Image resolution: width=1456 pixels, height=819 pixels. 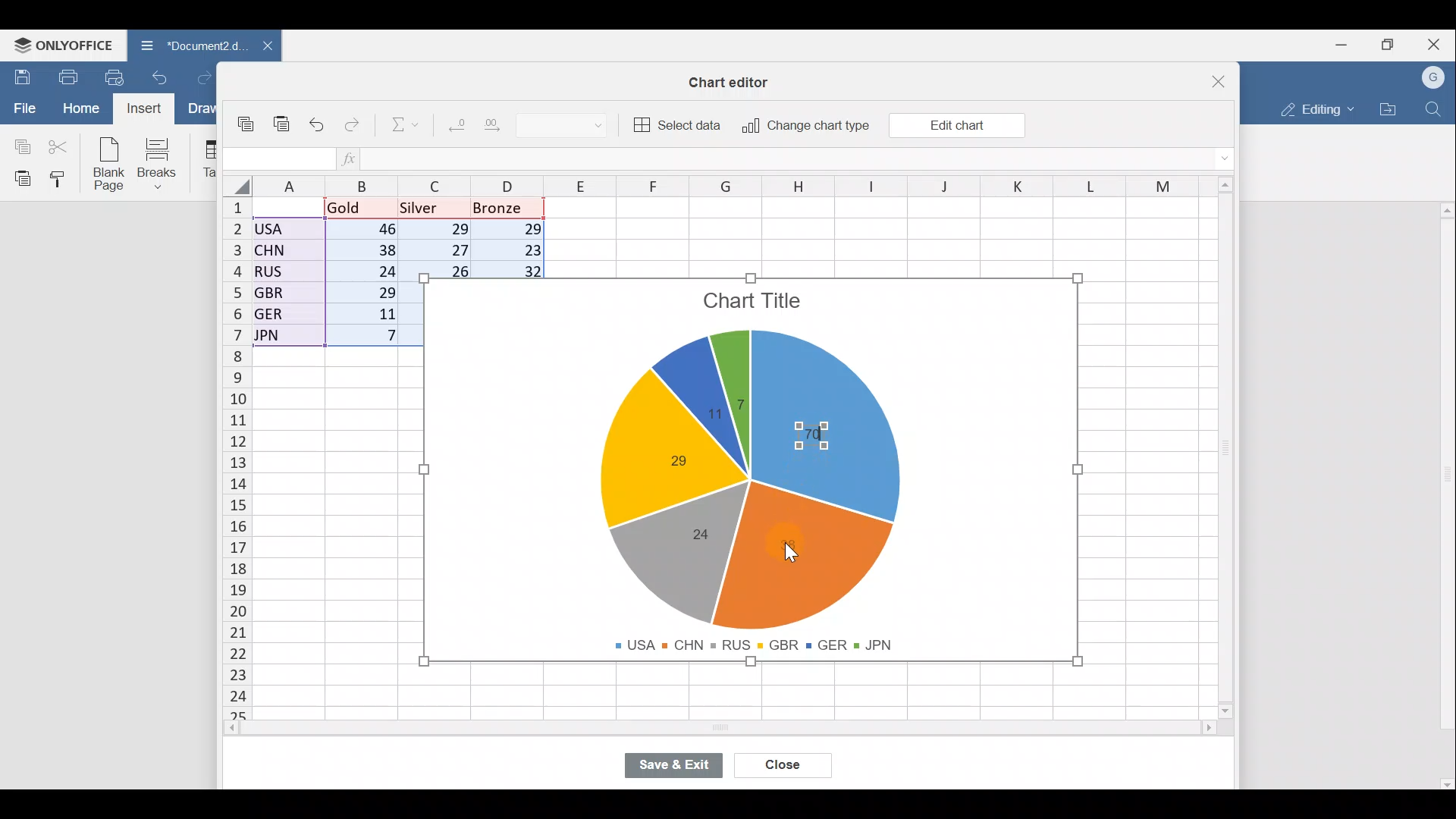 I want to click on Columns, so click(x=745, y=186).